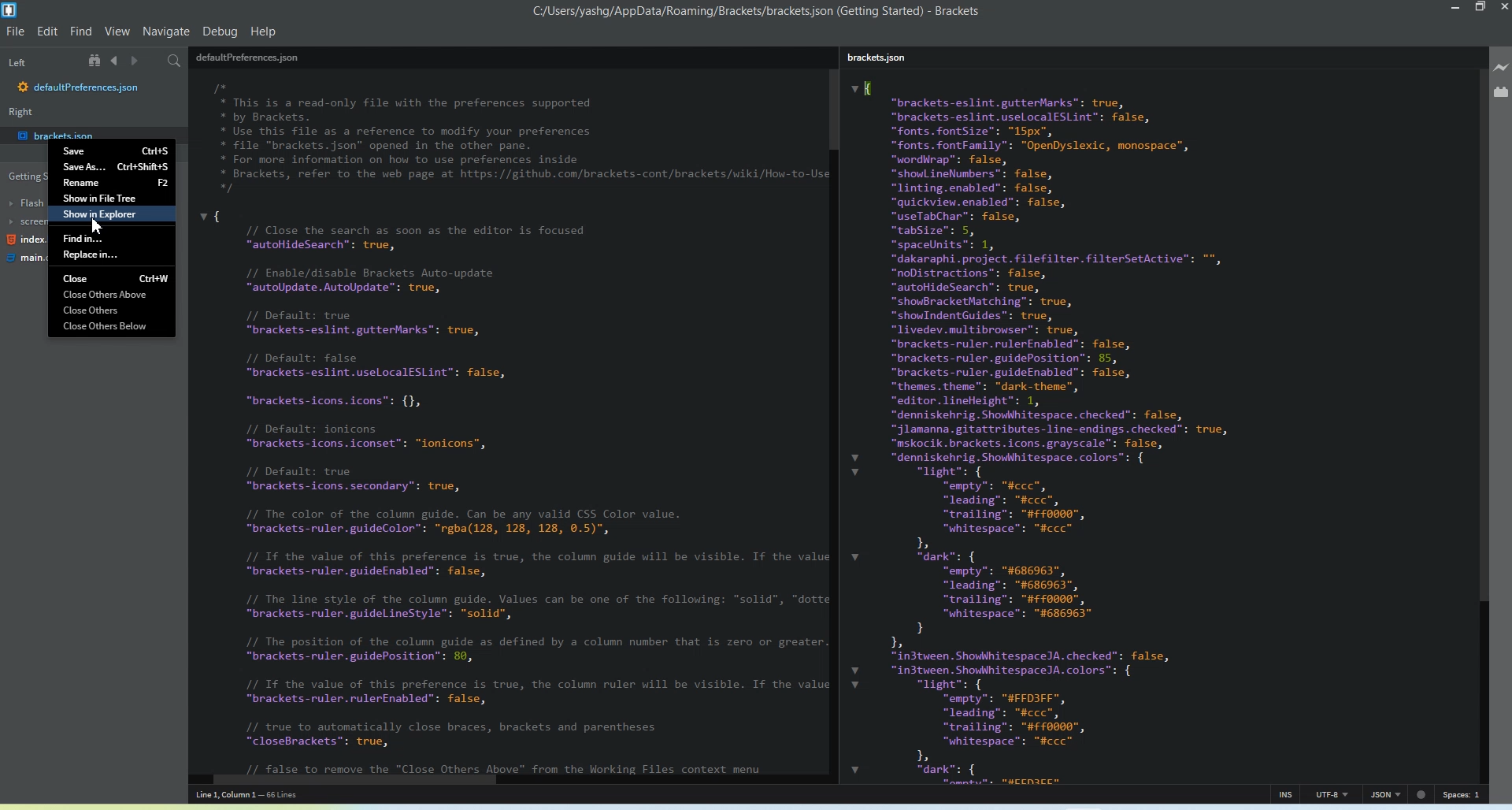 The image size is (1512, 810). What do you see at coordinates (1501, 68) in the screenshot?
I see `Live Preview` at bounding box center [1501, 68].